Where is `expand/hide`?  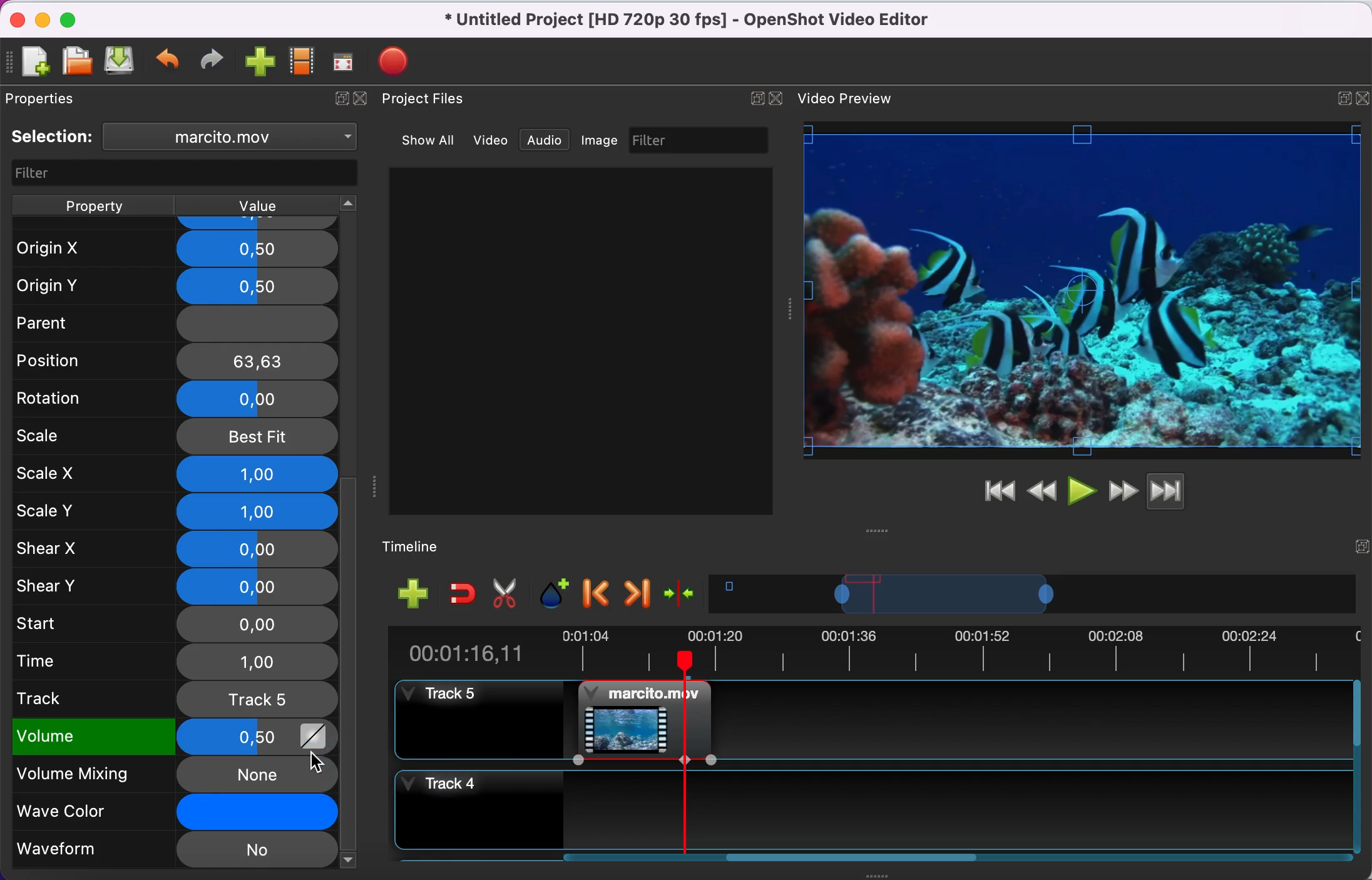
expand/hide is located at coordinates (1363, 95).